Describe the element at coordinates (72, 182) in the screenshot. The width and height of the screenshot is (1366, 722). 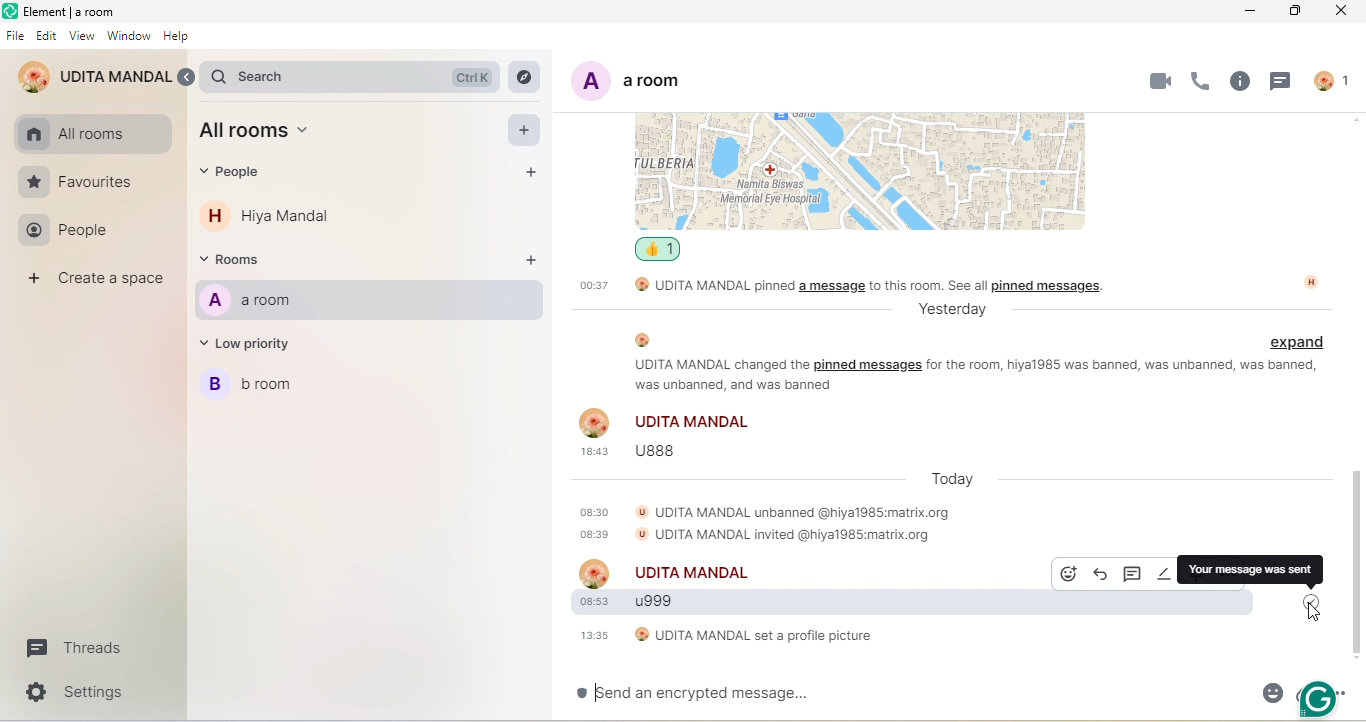
I see `Favourites` at that location.